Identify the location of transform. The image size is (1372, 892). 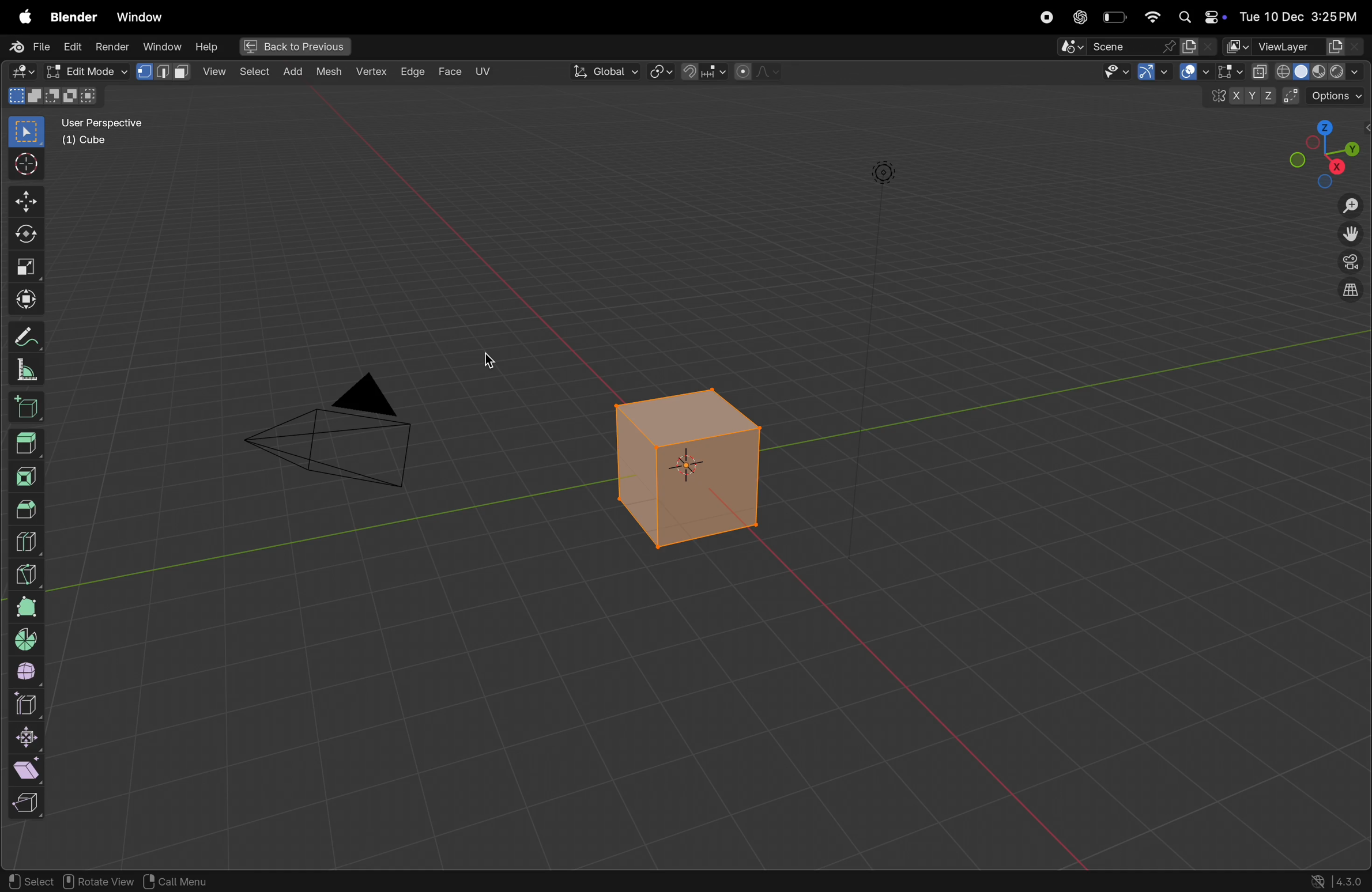
(24, 237).